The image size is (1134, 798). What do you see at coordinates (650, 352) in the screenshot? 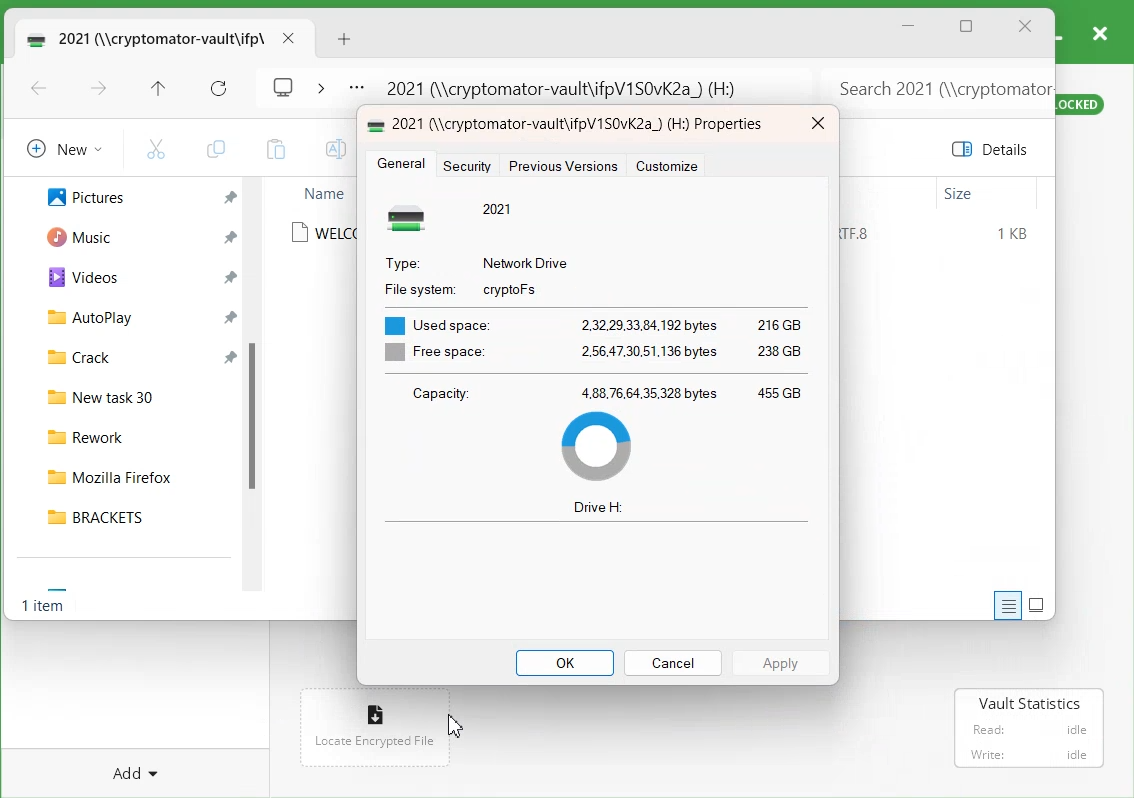
I see `2.56.47.30.51.136 bytes.` at bounding box center [650, 352].